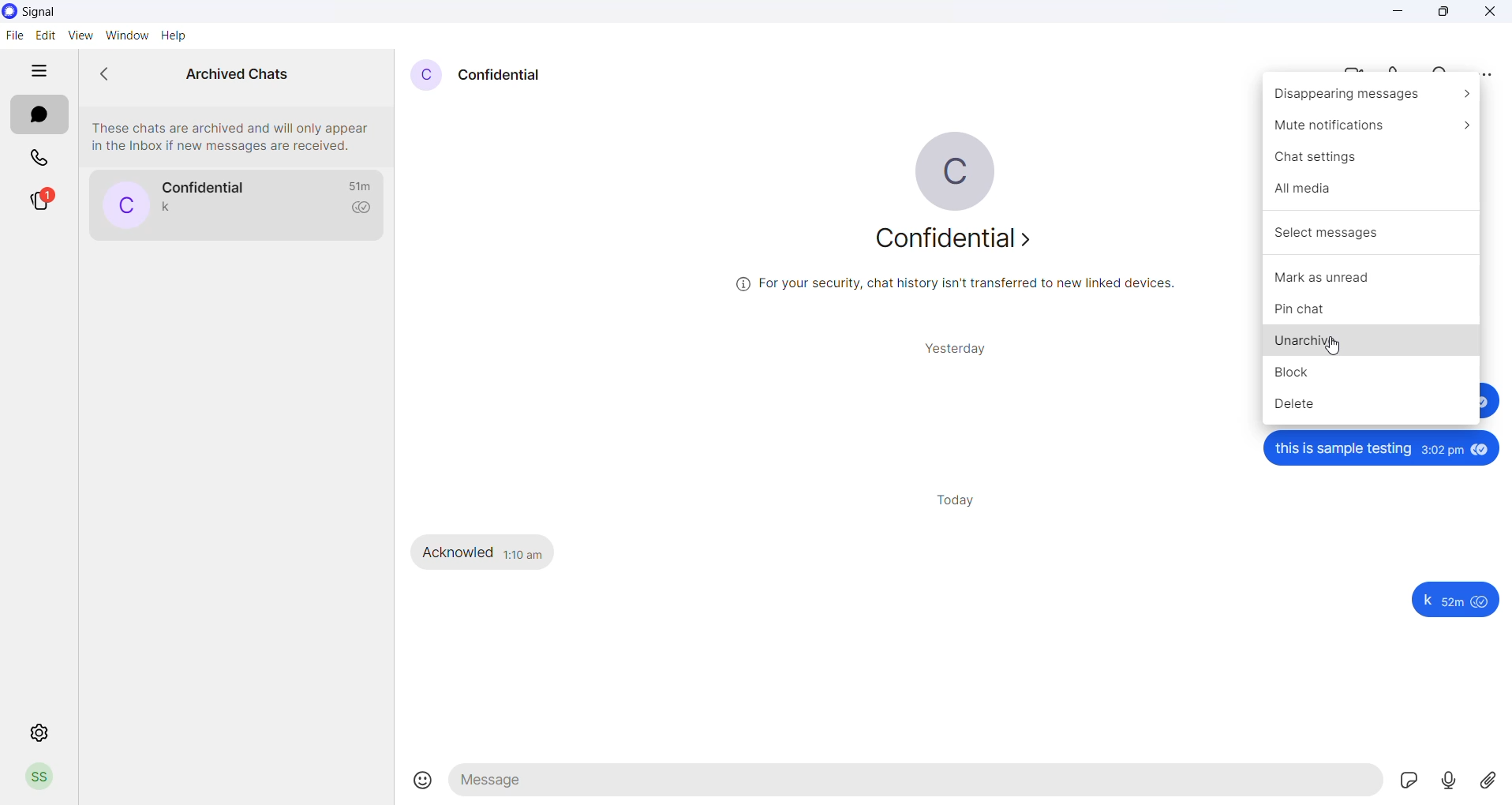  Describe the element at coordinates (1372, 343) in the screenshot. I see `unarchive` at that location.